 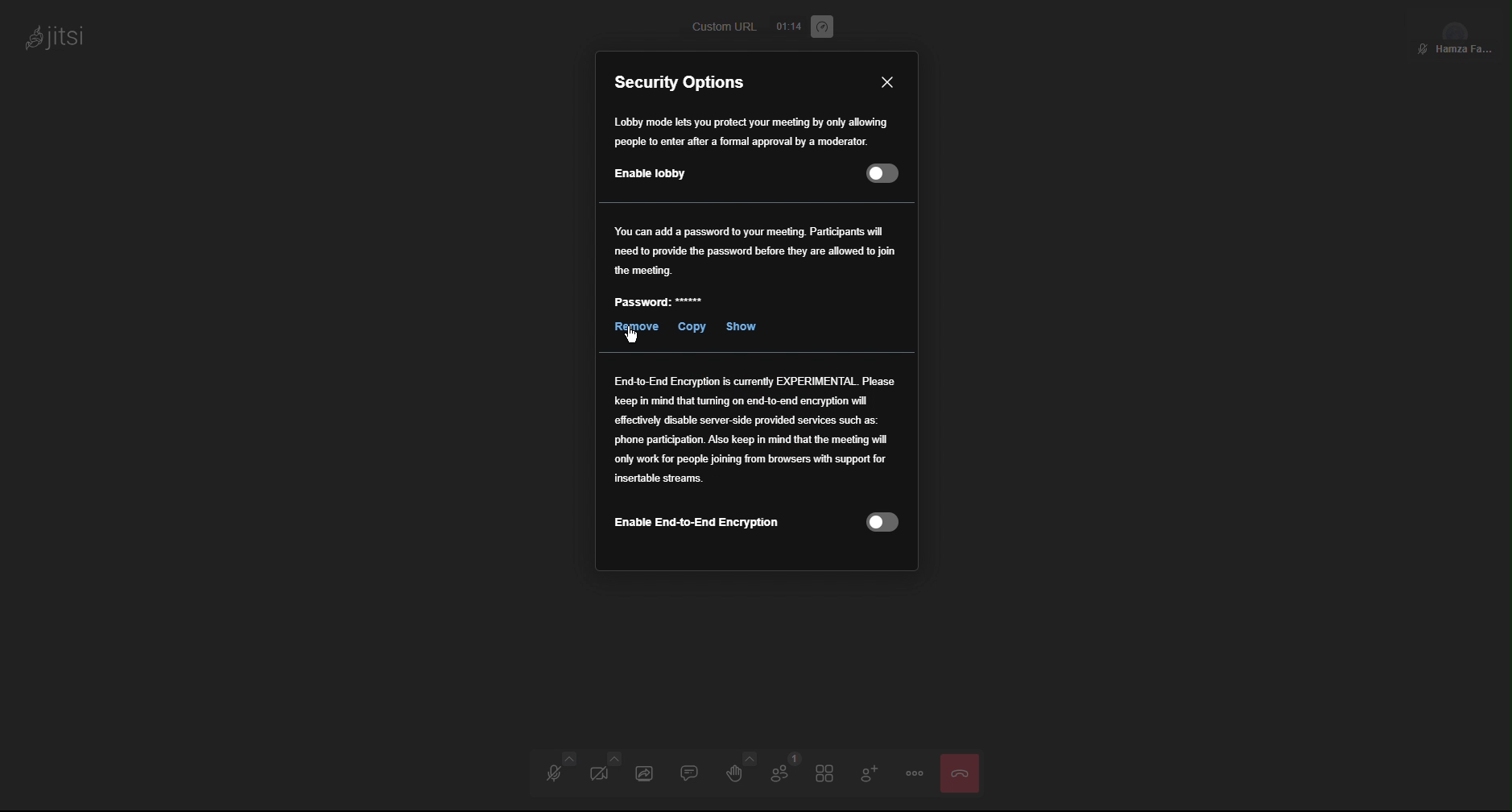 What do you see at coordinates (632, 336) in the screenshot?
I see `Cursor` at bounding box center [632, 336].